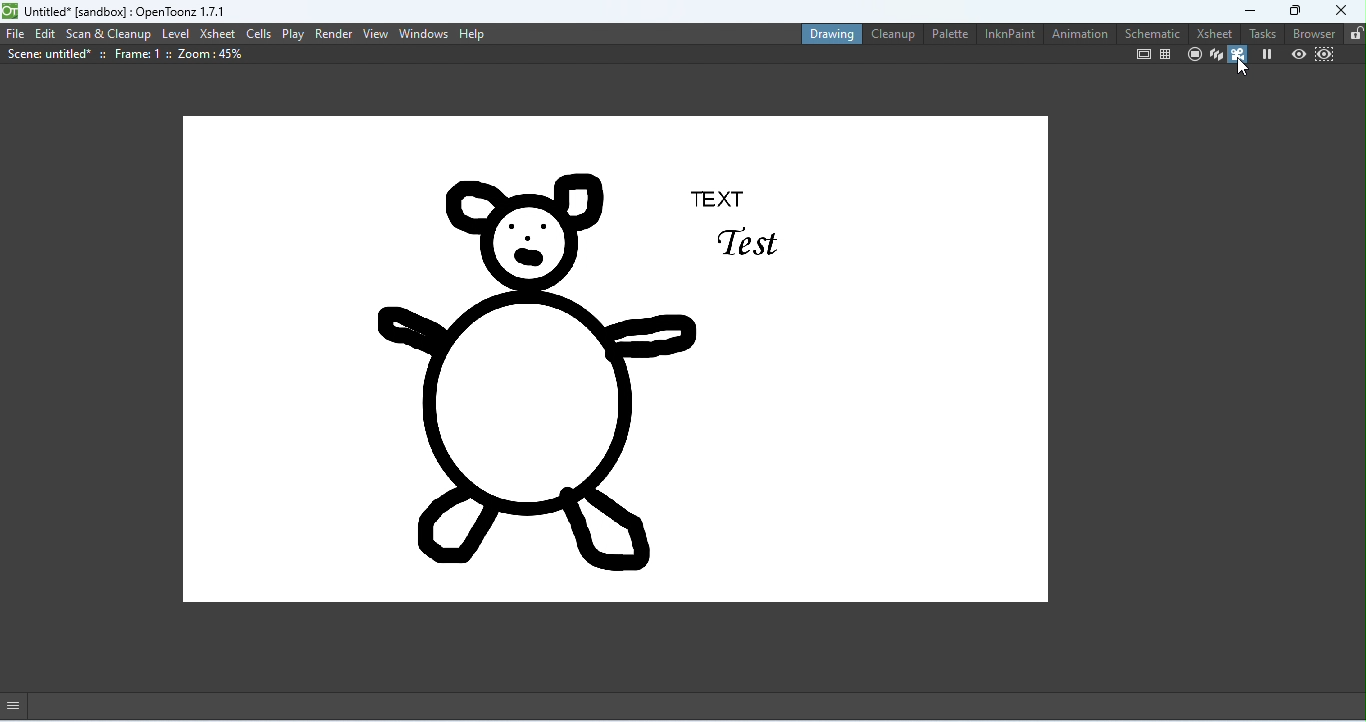  I want to click on Schematic, so click(1149, 32).